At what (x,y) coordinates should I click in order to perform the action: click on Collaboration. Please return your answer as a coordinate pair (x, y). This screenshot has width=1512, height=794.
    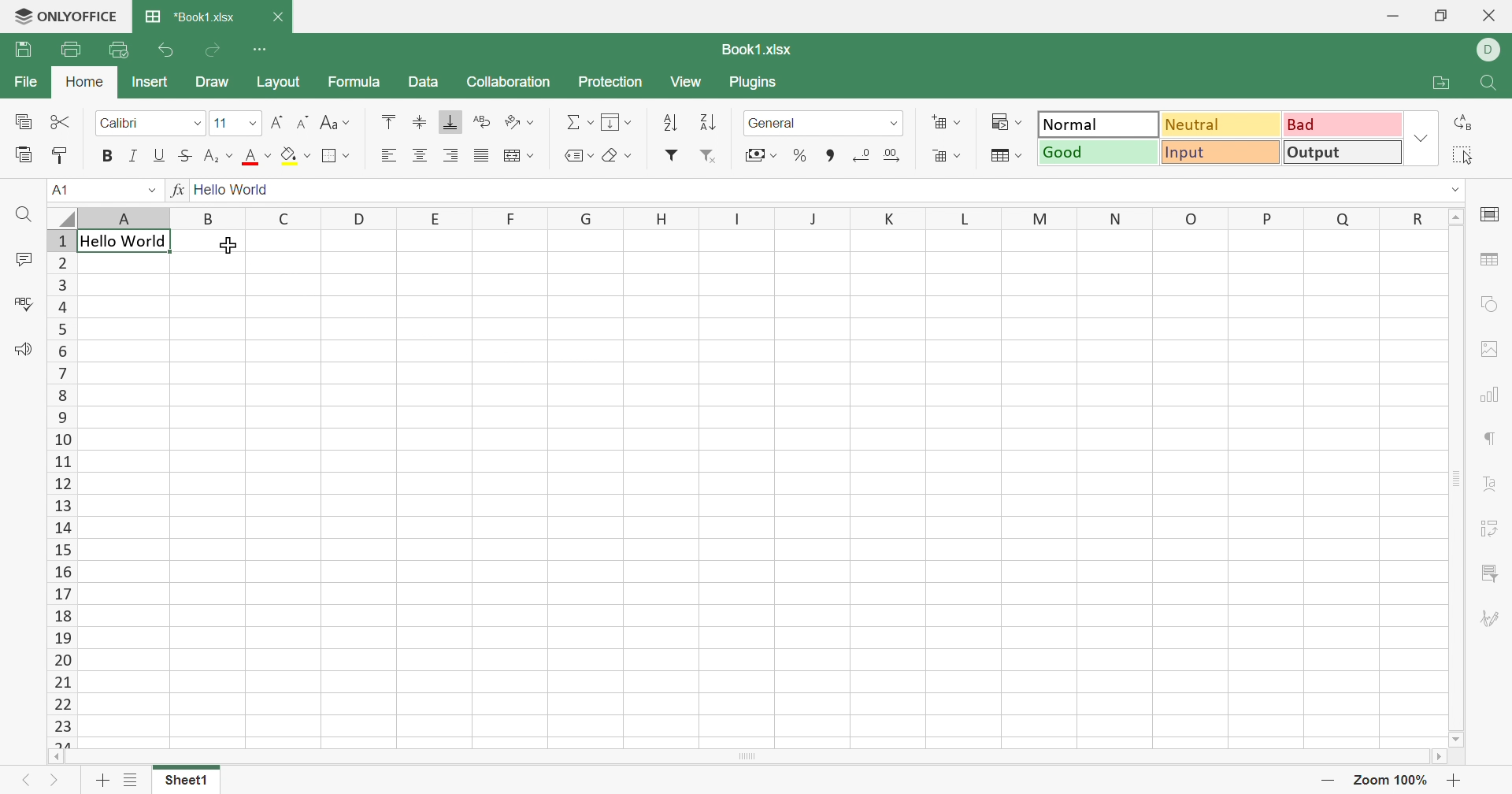
    Looking at the image, I should click on (508, 81).